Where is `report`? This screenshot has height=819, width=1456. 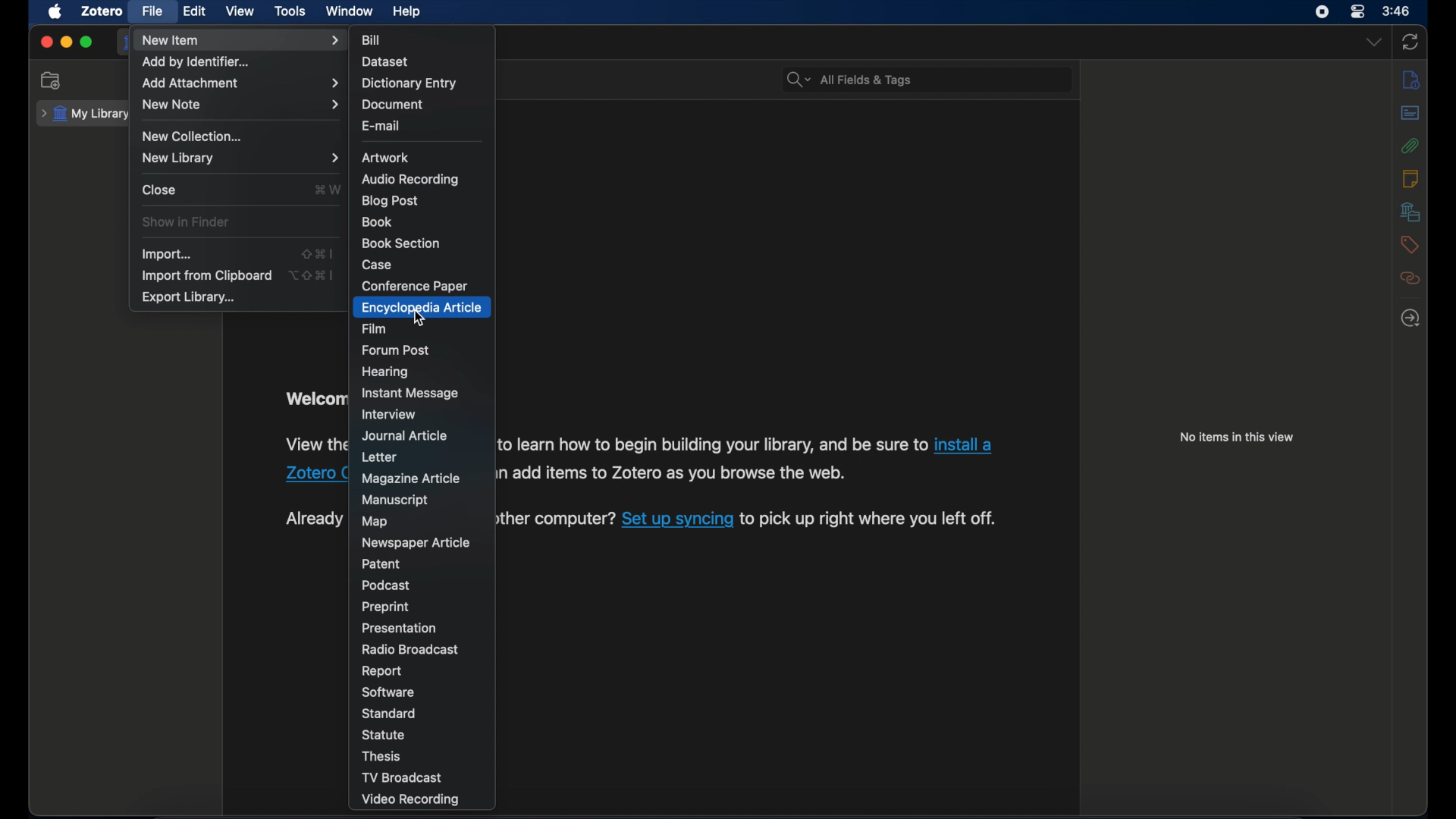 report is located at coordinates (383, 672).